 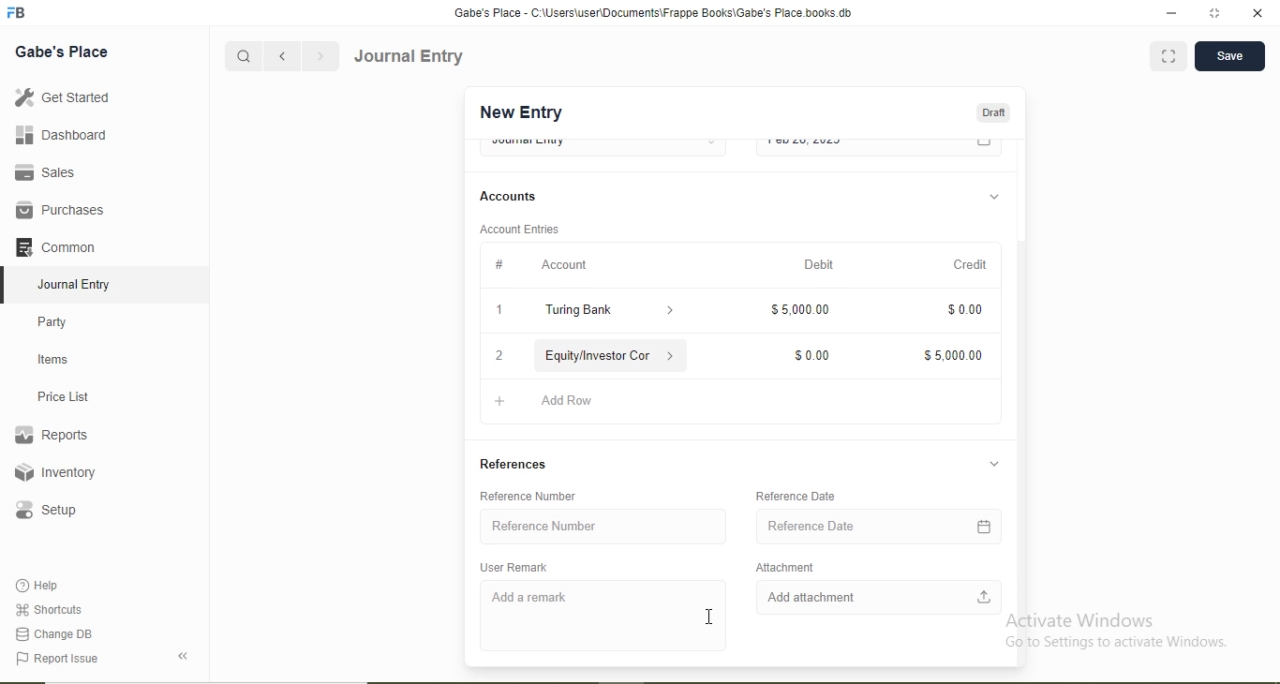 What do you see at coordinates (964, 308) in the screenshot?
I see `$0.00` at bounding box center [964, 308].